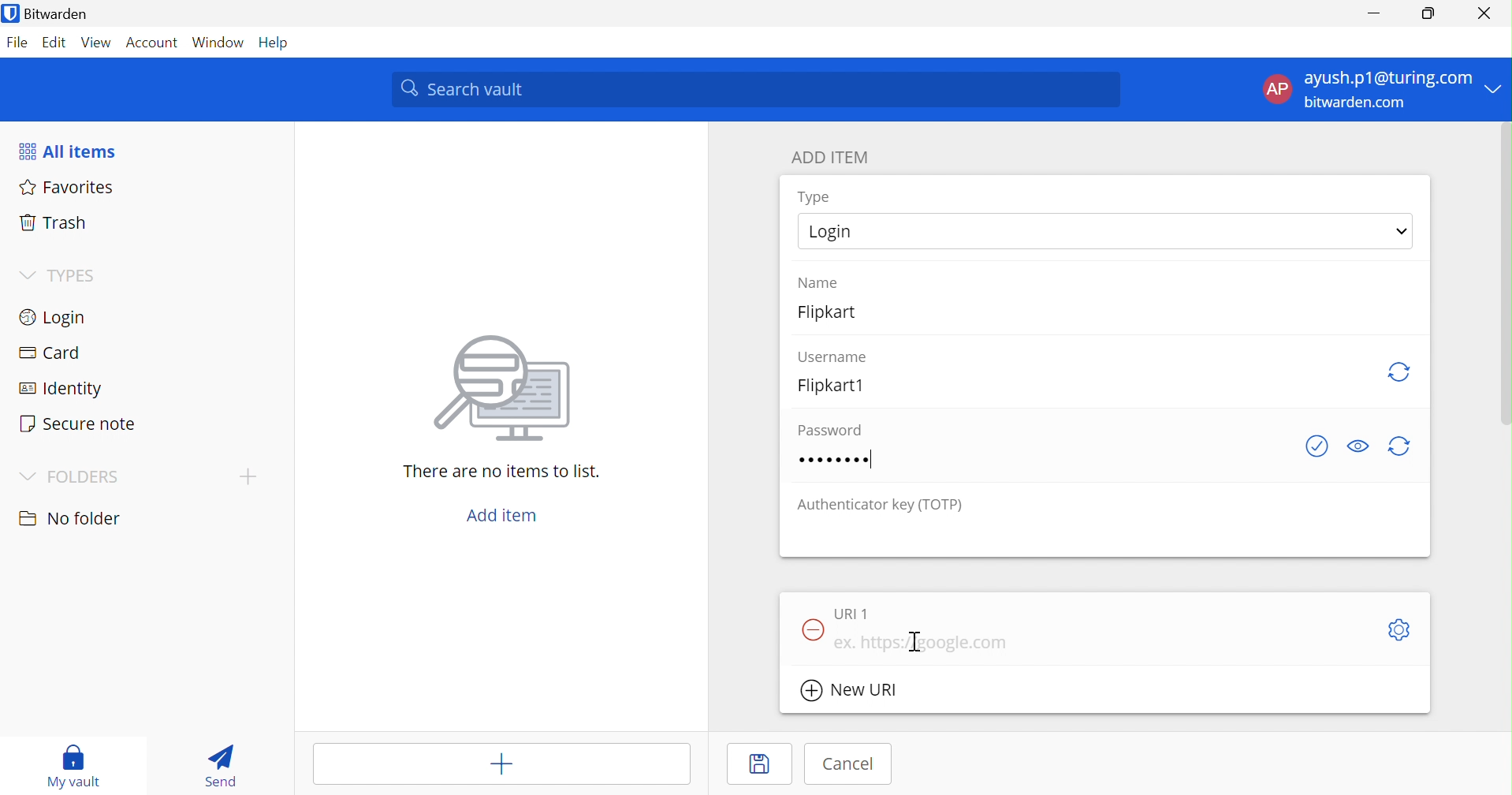 The image size is (1512, 795). Describe the element at coordinates (153, 43) in the screenshot. I see `Account` at that location.